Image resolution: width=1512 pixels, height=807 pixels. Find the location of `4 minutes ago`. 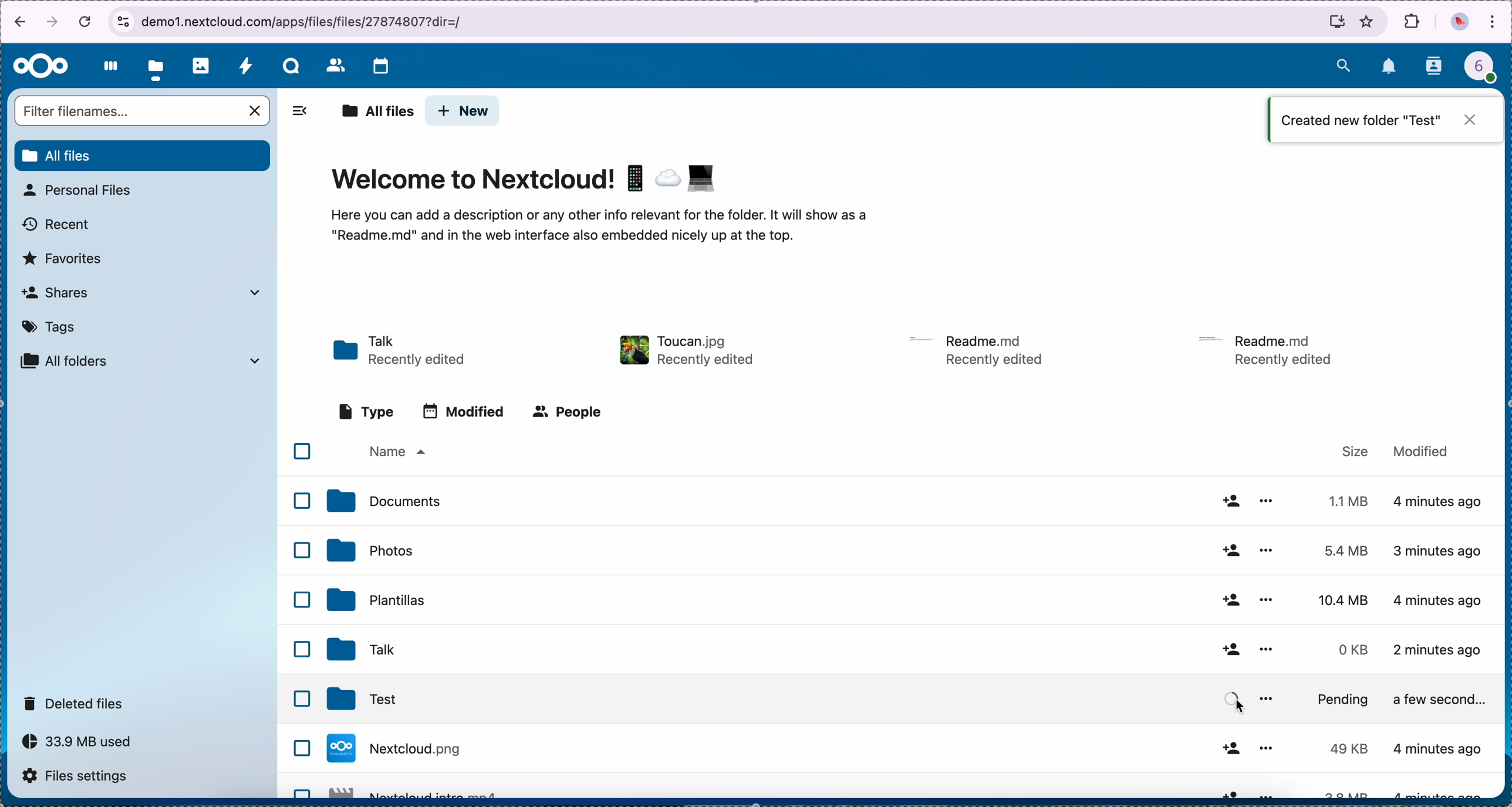

4 minutes ago is located at coordinates (1439, 748).